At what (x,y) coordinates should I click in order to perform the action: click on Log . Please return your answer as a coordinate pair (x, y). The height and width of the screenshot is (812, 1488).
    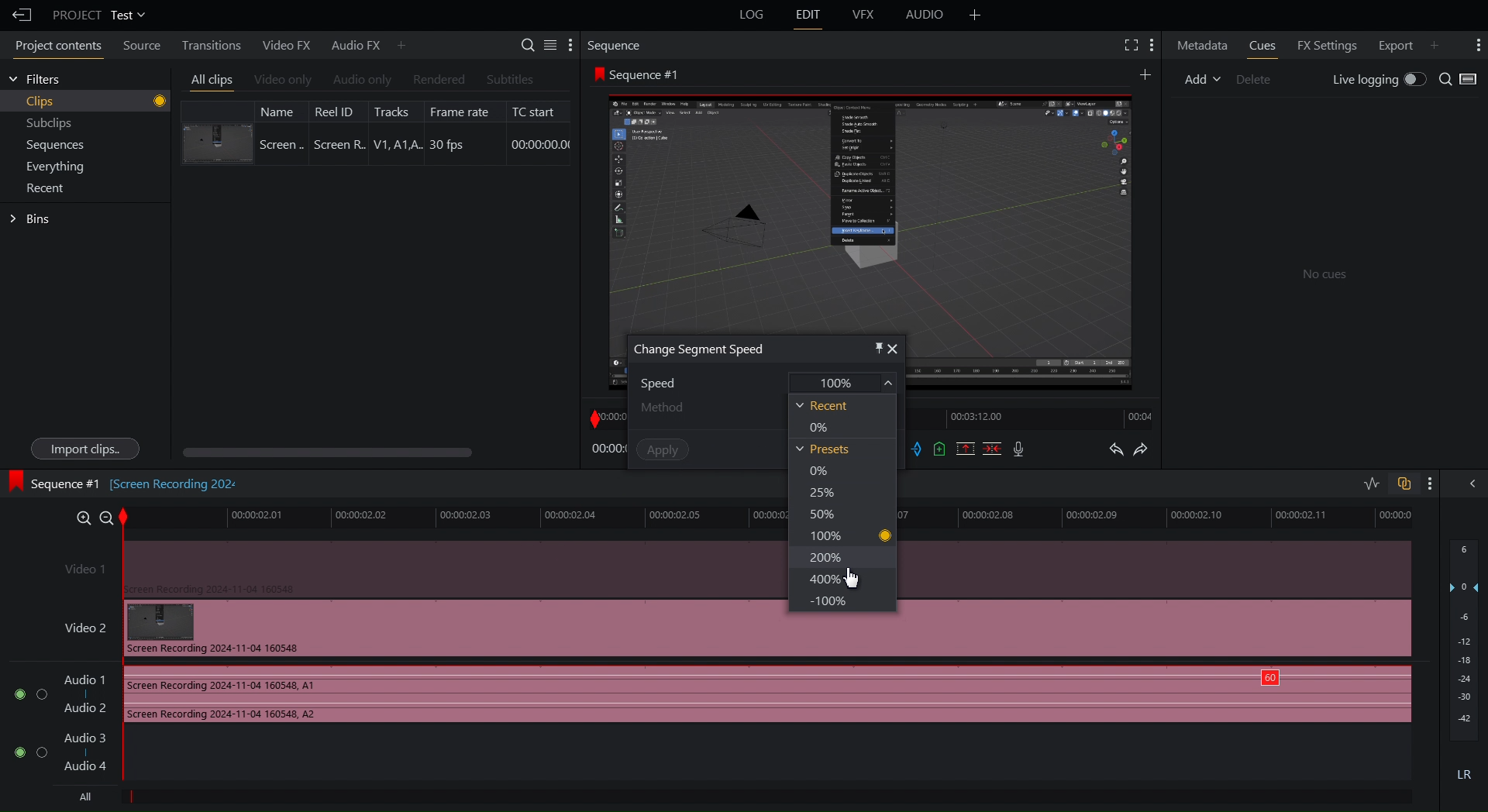
    Looking at the image, I should click on (749, 15).